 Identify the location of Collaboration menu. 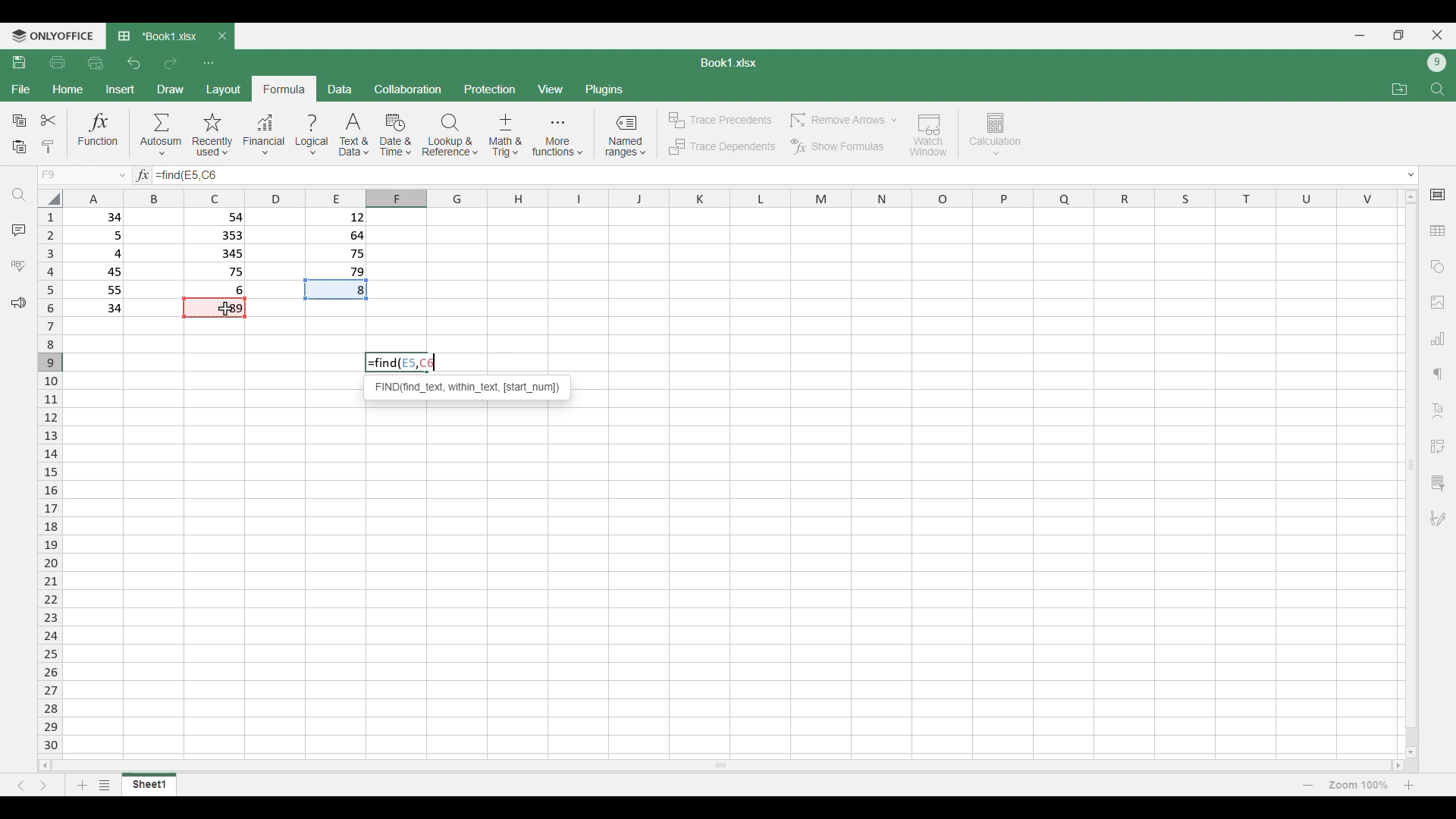
(409, 89).